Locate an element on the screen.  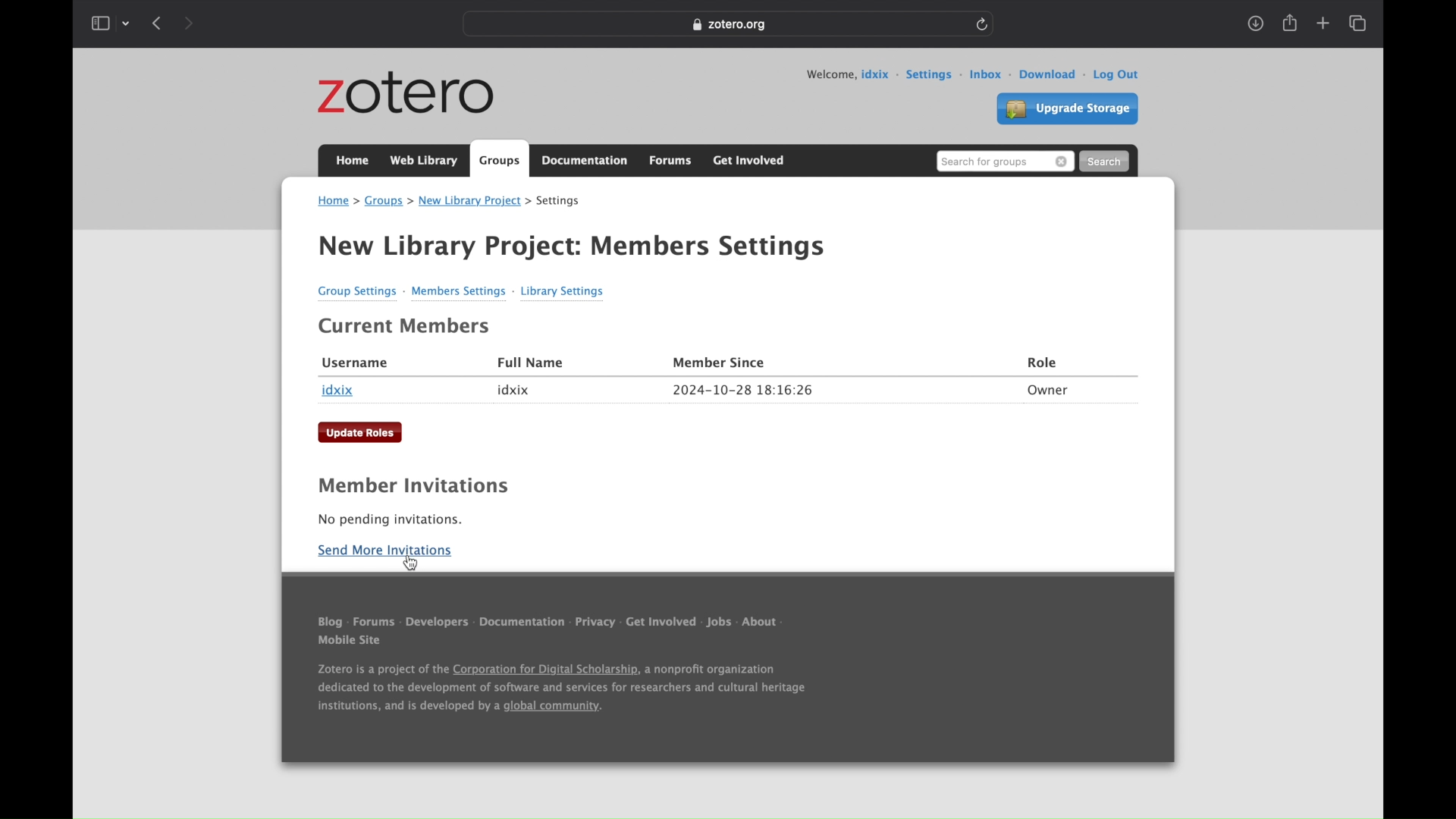
refresh page is located at coordinates (982, 23).